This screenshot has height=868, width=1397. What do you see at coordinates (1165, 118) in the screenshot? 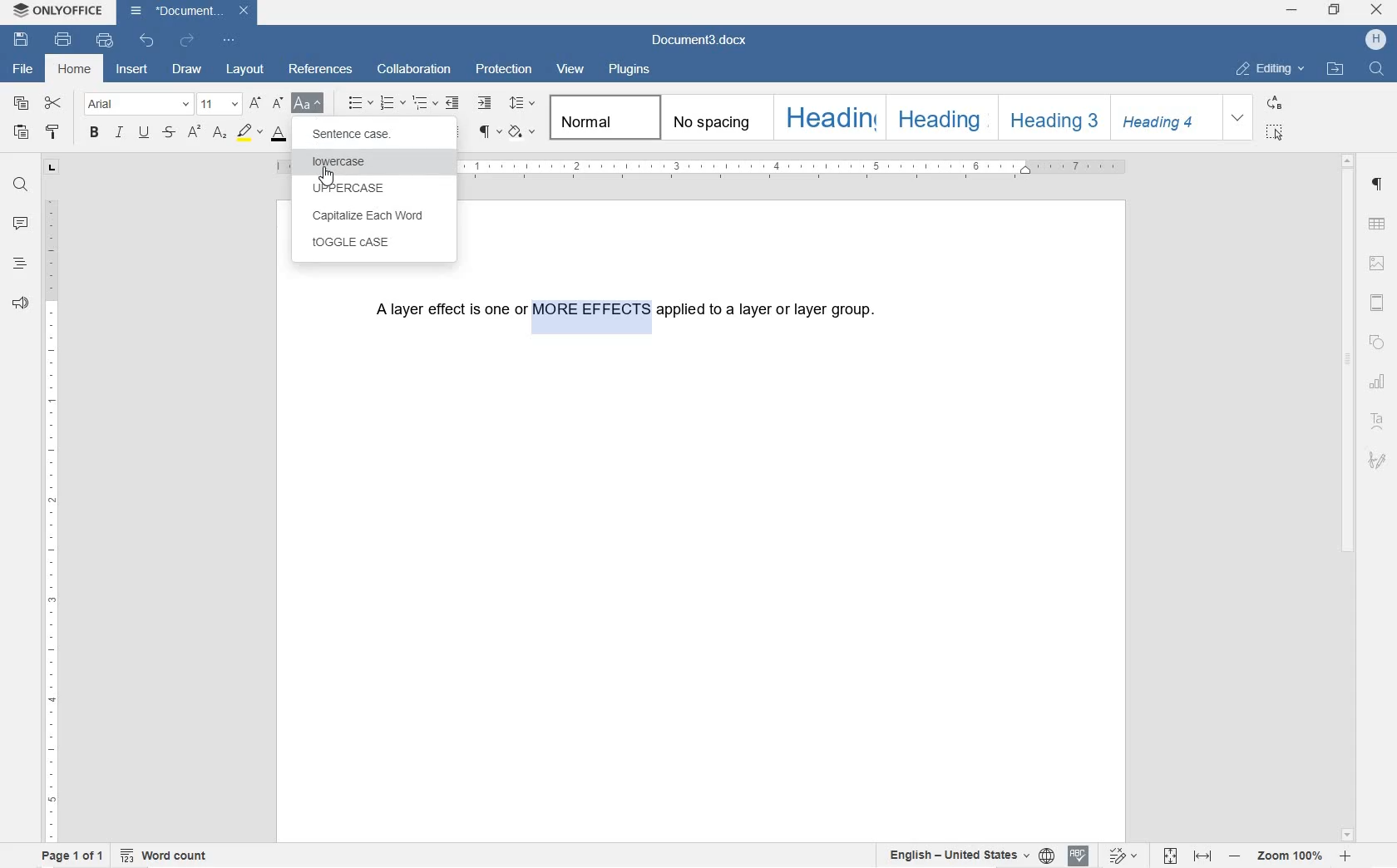
I see `HEADING 4` at bounding box center [1165, 118].